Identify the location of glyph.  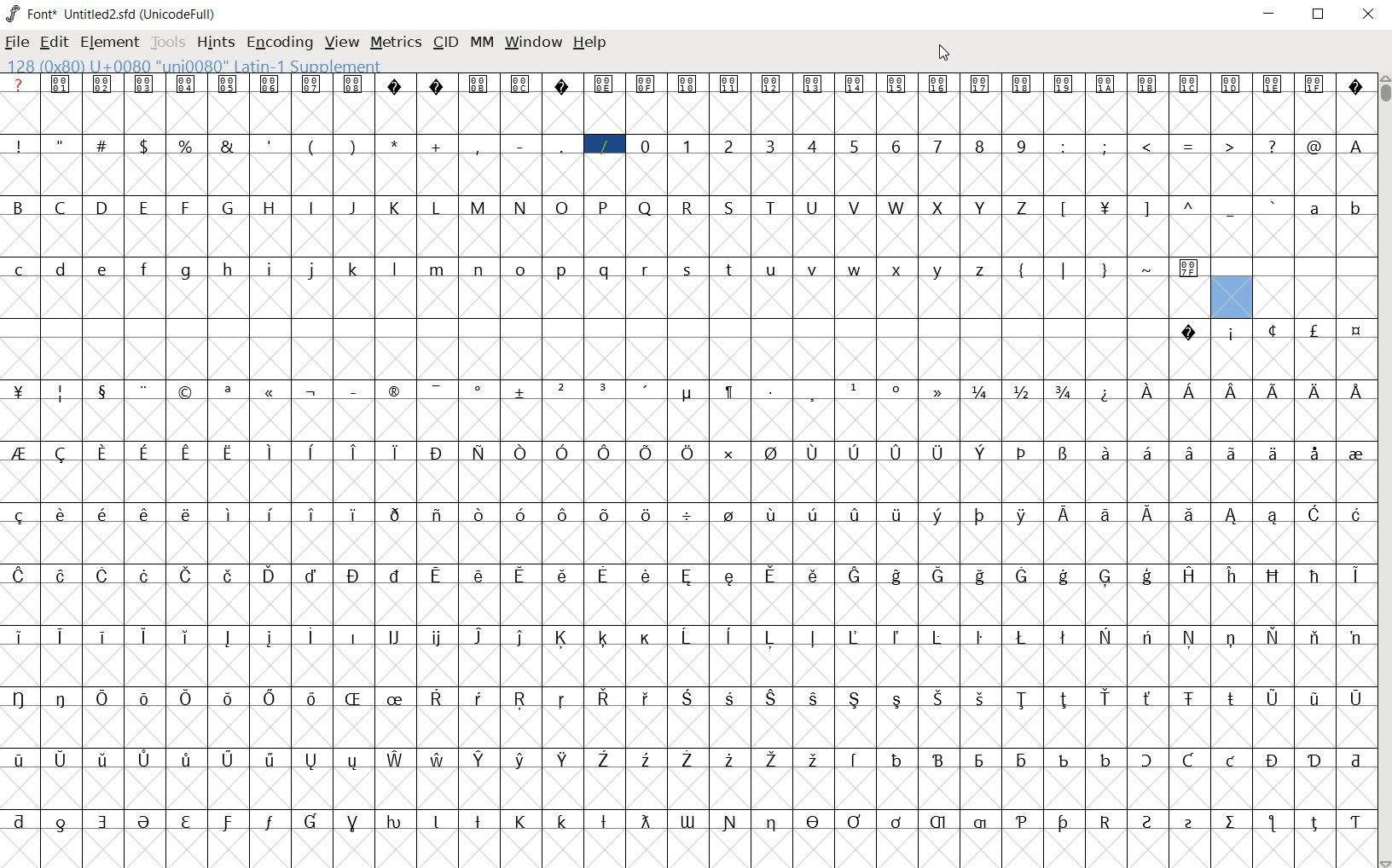
(564, 759).